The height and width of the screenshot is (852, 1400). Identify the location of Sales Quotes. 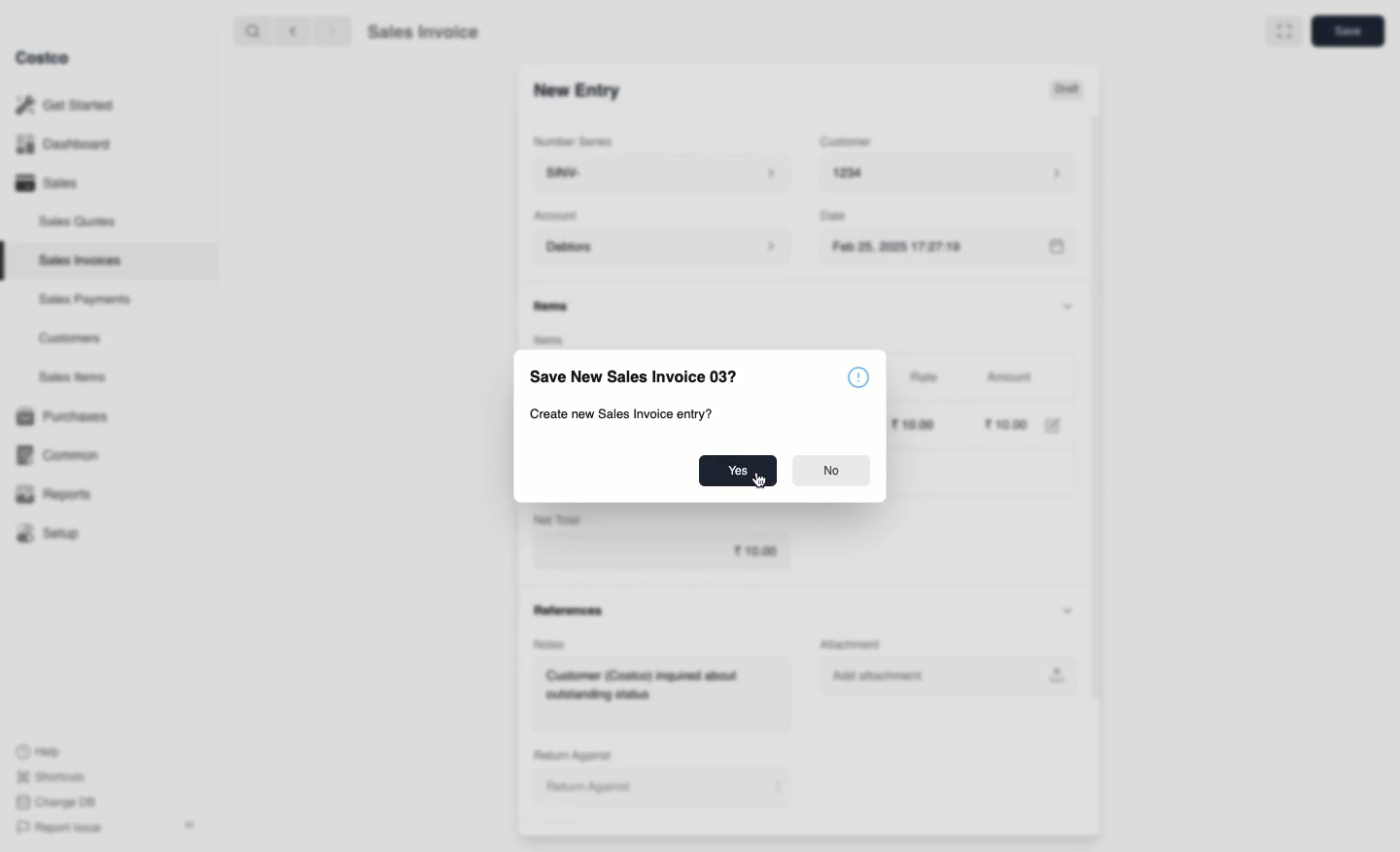
(75, 223).